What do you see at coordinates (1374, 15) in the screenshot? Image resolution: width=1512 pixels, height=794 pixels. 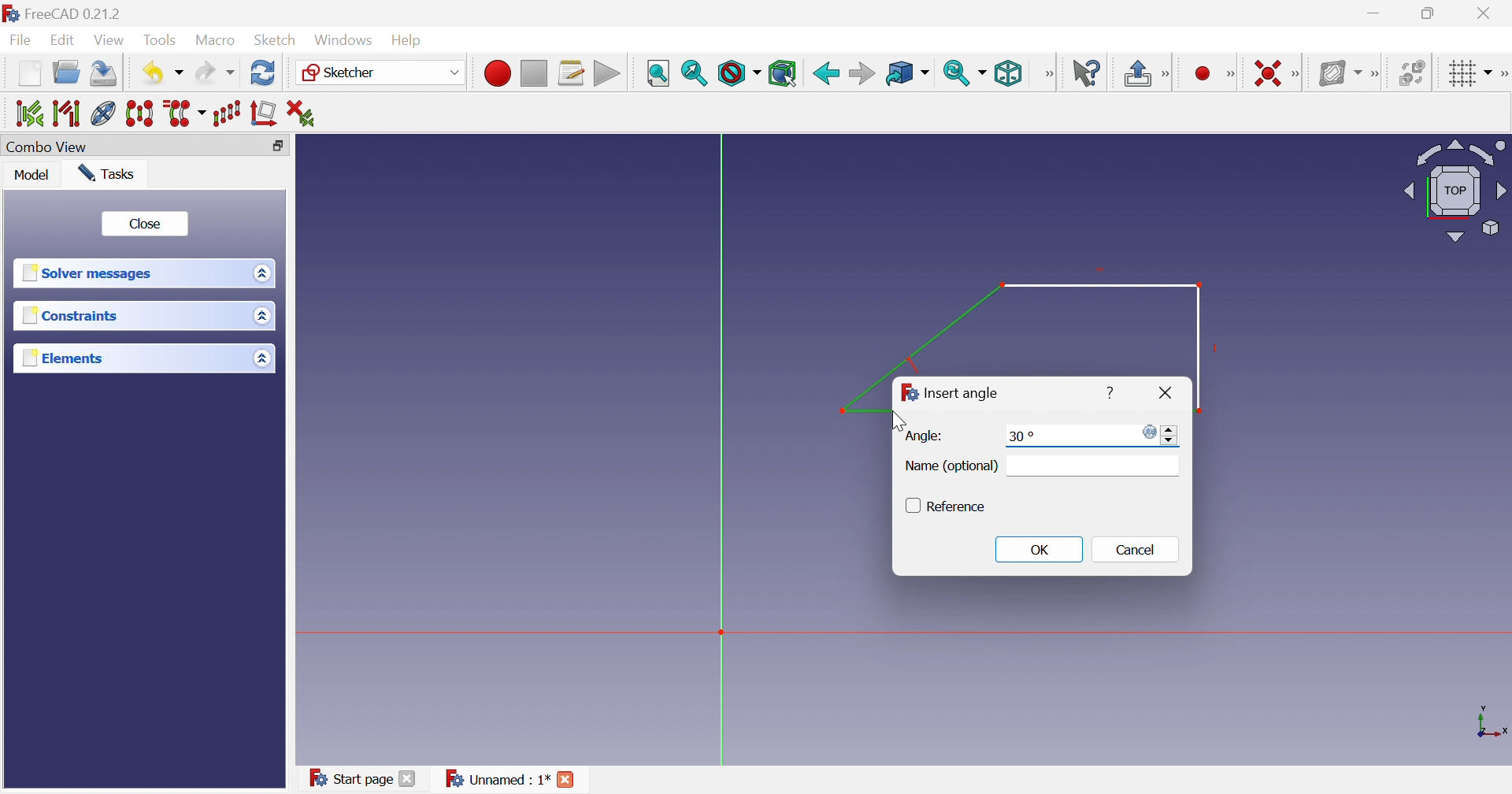 I see `Minimize` at bounding box center [1374, 15].